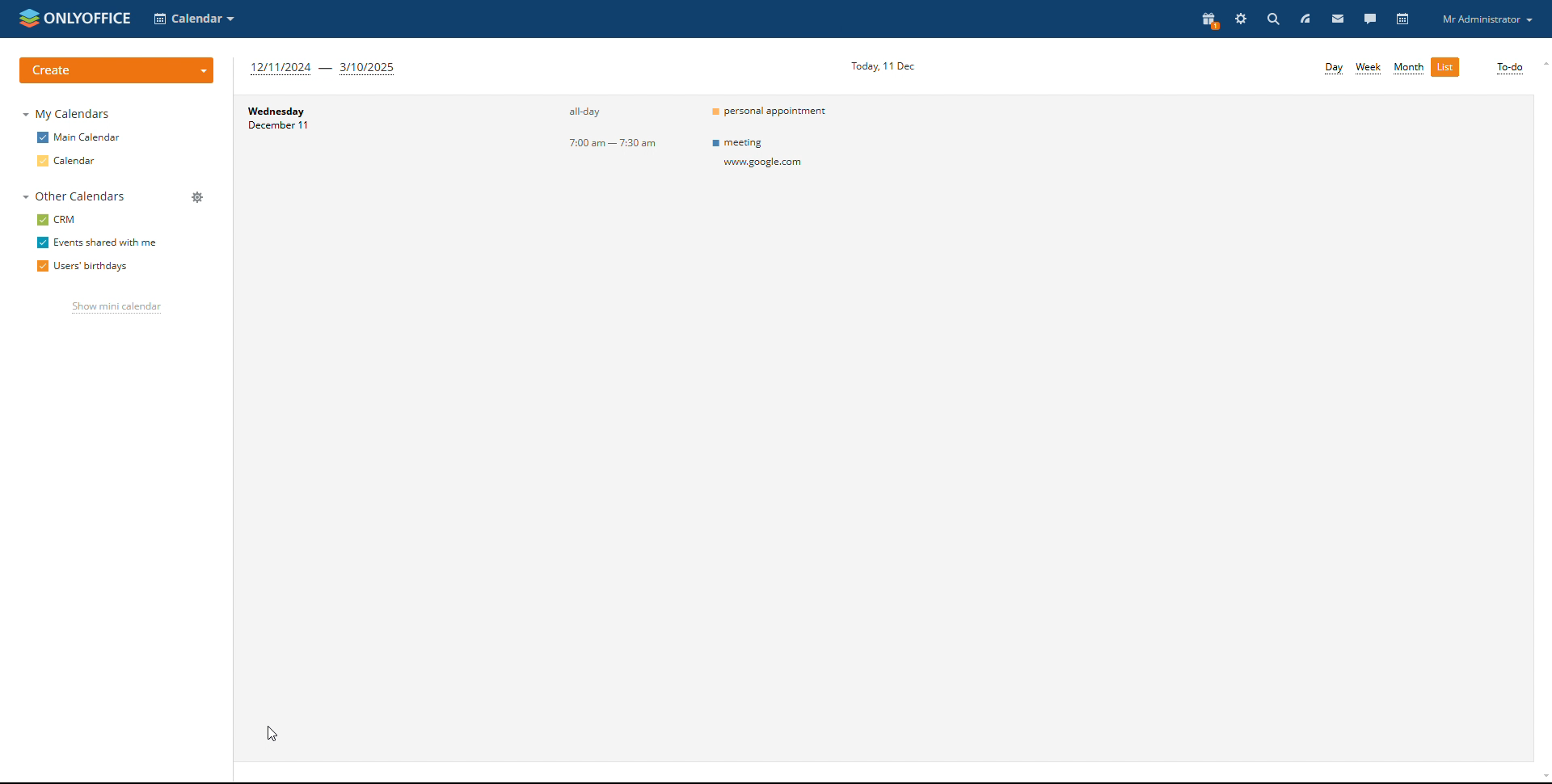  I want to click on present, so click(1209, 19).